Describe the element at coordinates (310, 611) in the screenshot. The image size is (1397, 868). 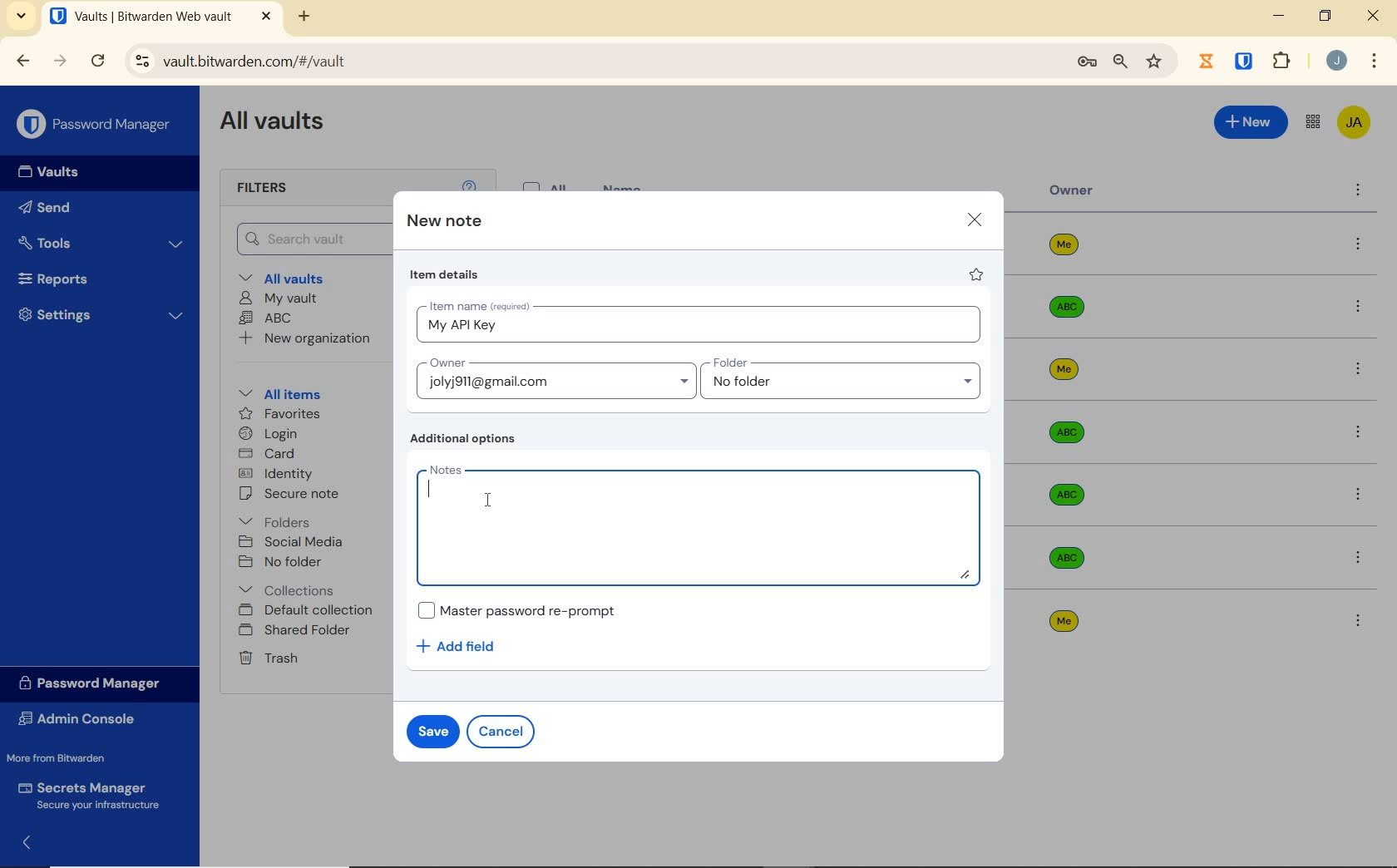
I see `Default collection` at that location.